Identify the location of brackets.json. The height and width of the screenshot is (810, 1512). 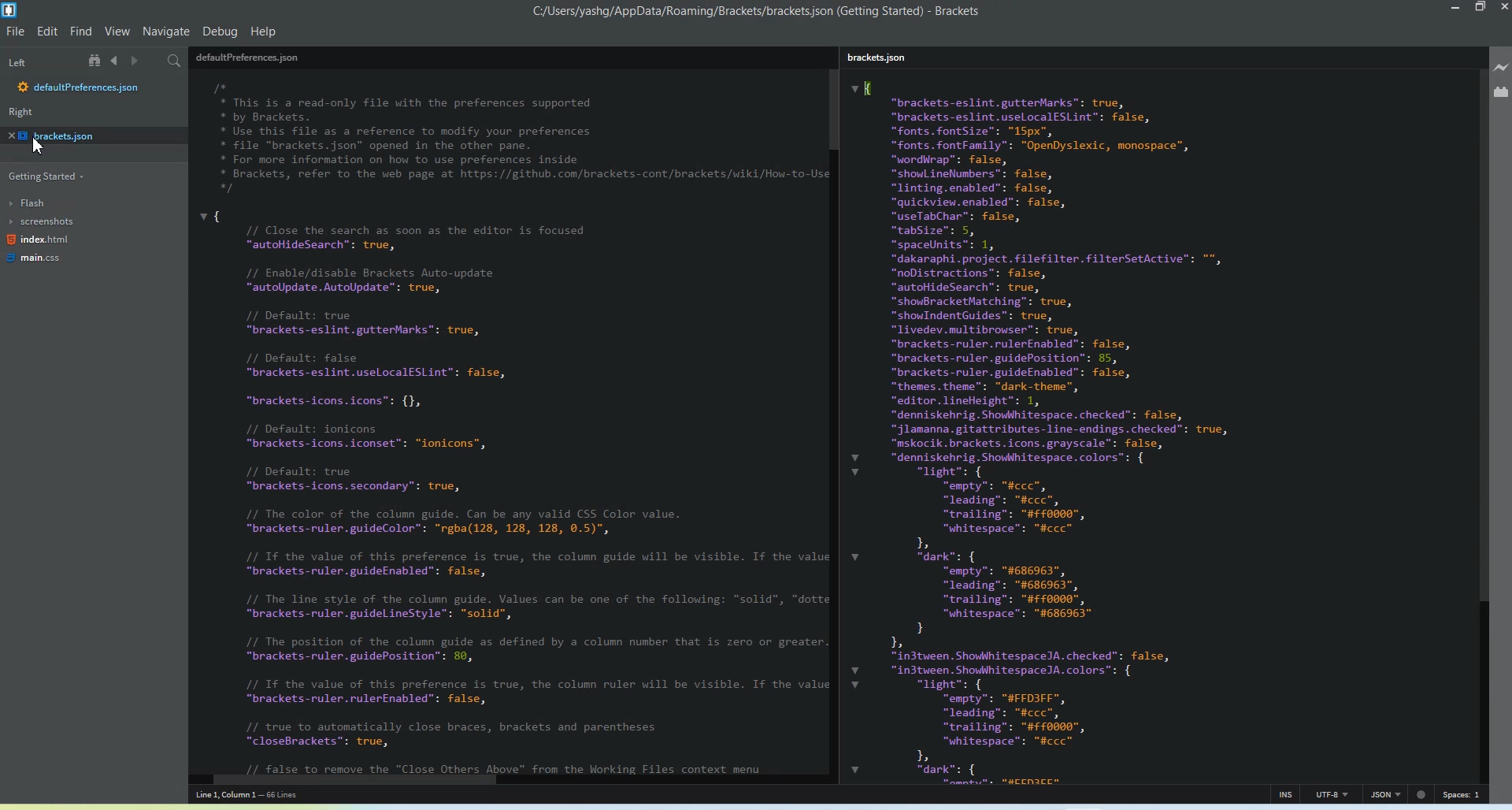
(883, 59).